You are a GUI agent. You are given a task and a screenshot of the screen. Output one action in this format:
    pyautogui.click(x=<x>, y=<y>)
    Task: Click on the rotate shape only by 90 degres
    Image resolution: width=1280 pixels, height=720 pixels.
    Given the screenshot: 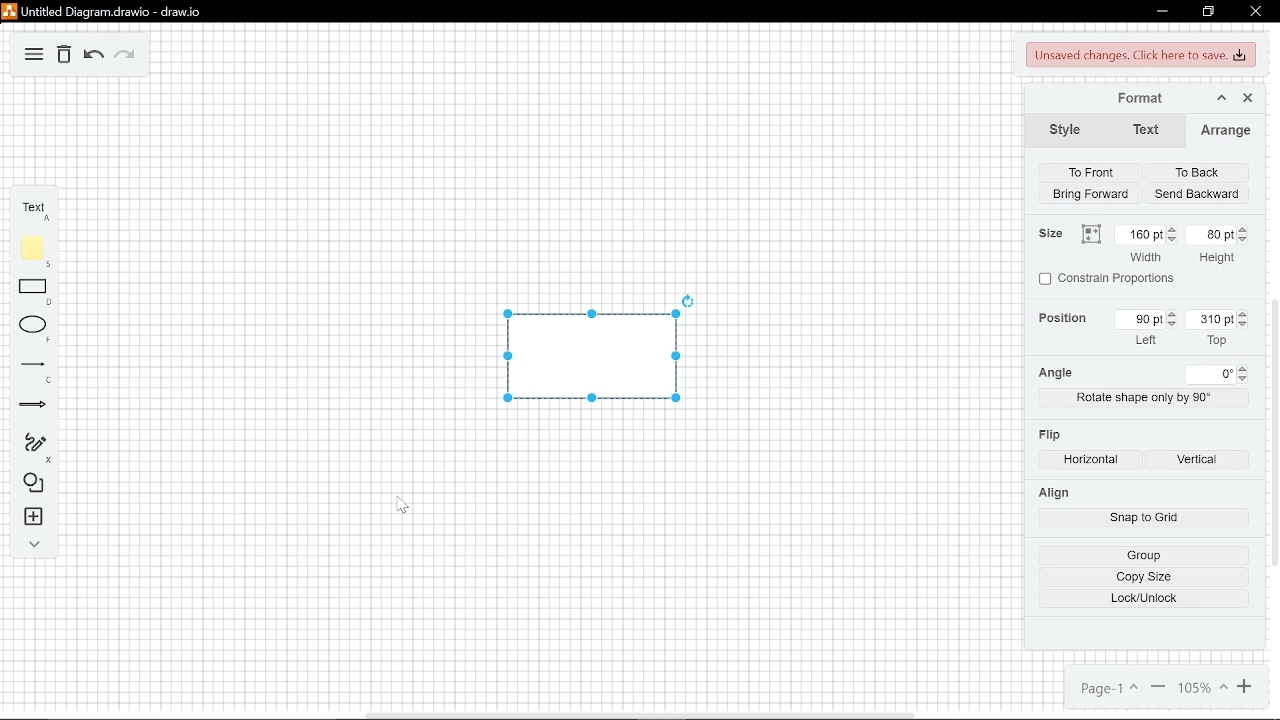 What is the action you would take?
    pyautogui.click(x=1144, y=398)
    